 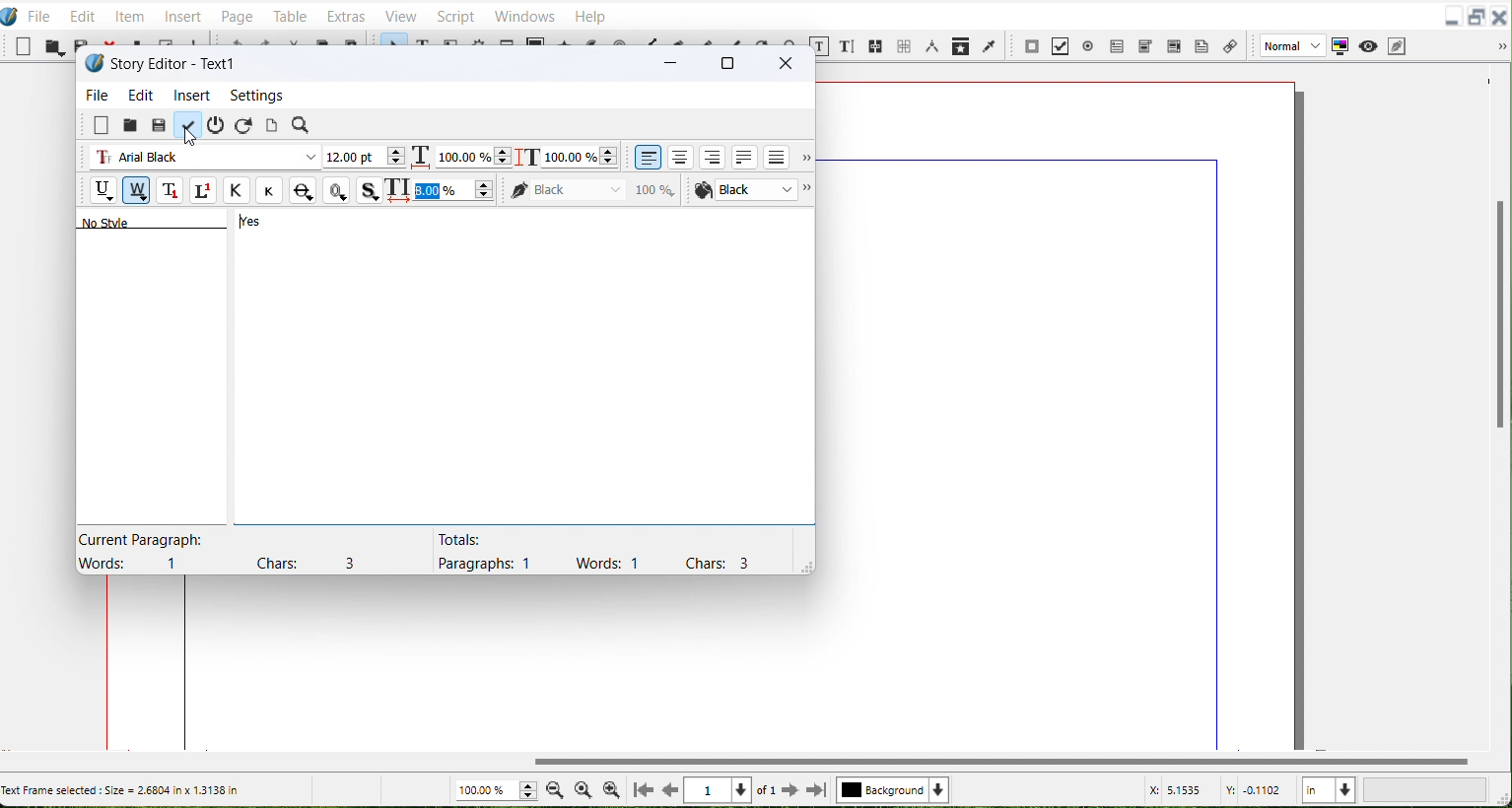 I want to click on Zoom Out, so click(x=555, y=789).